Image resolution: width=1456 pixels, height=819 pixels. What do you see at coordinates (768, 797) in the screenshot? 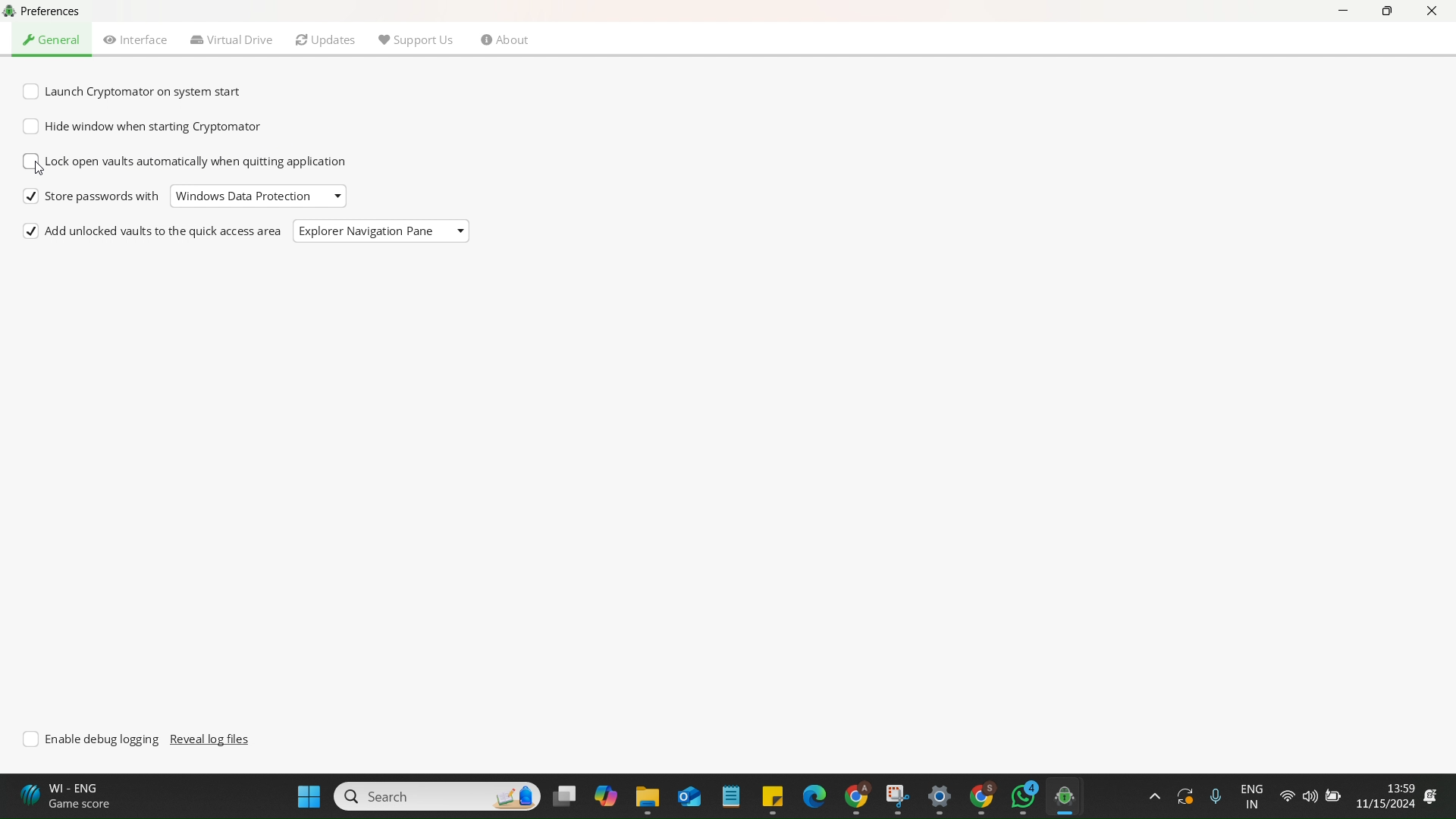
I see `Sticky Notes` at bounding box center [768, 797].